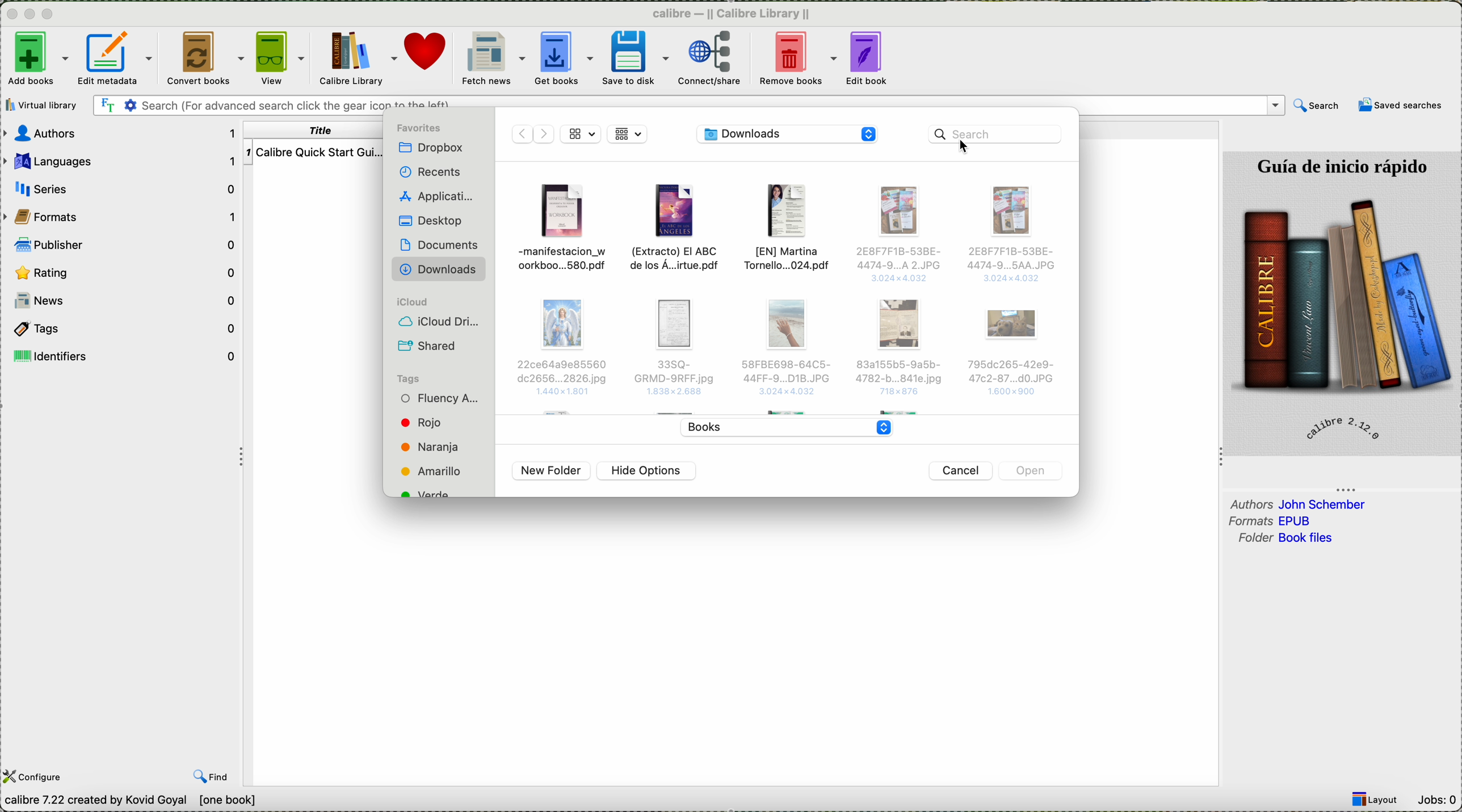  I want to click on disable navigate arrows, so click(532, 132).